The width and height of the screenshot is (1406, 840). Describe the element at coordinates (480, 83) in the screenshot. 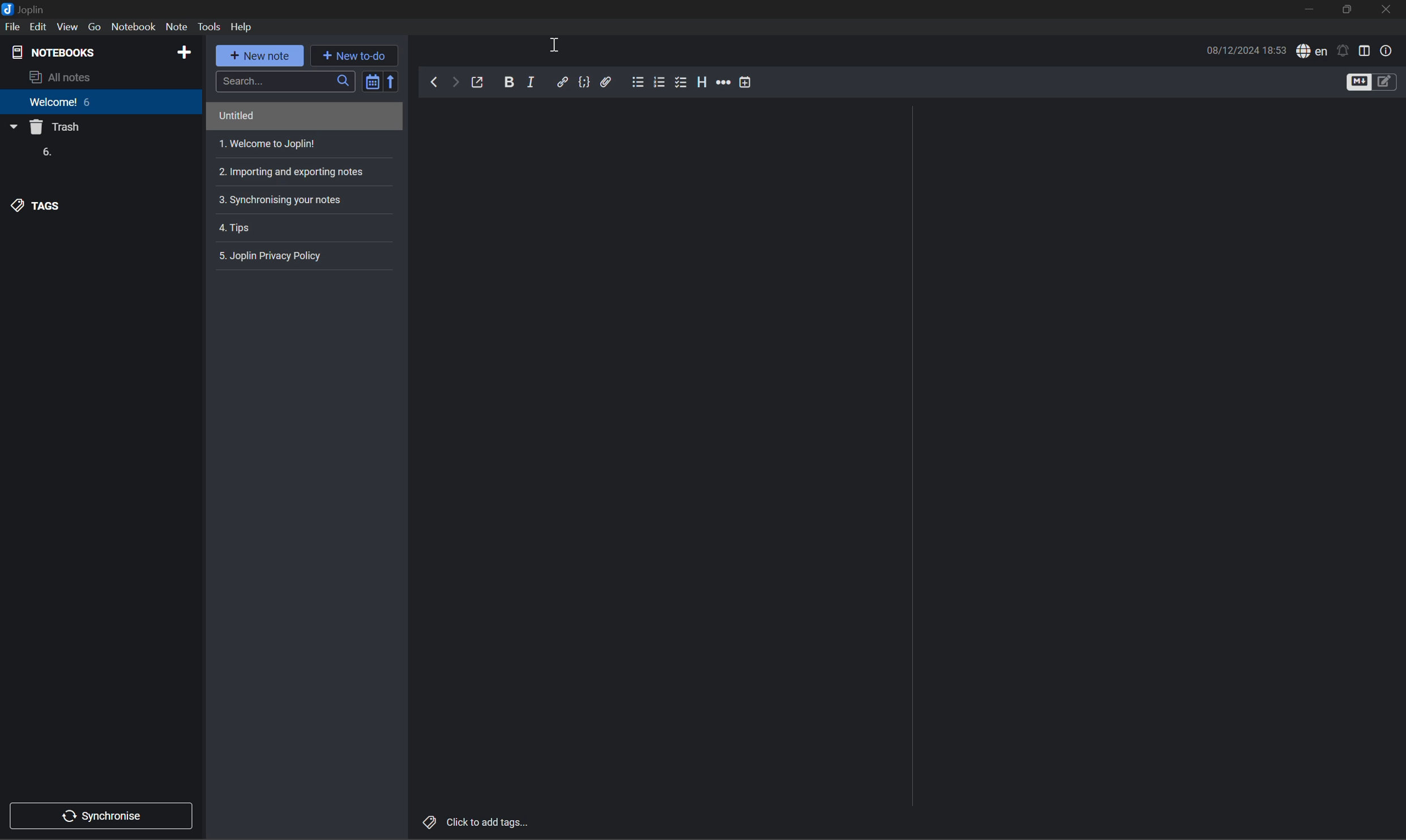

I see `Toggle external editing` at that location.